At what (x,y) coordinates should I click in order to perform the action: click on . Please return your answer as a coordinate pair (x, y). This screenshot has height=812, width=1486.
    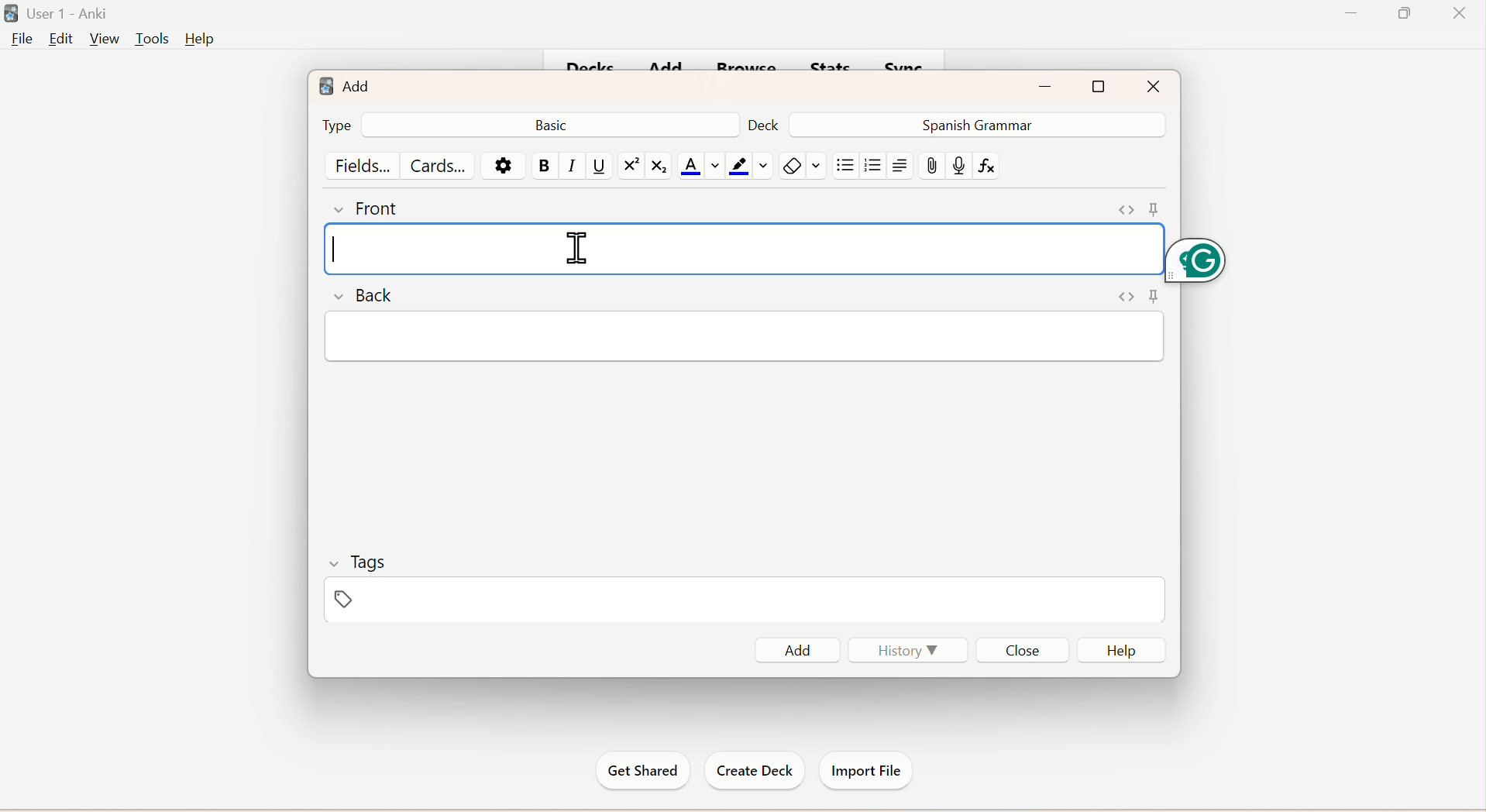
    Looking at the image, I should click on (1213, 256).